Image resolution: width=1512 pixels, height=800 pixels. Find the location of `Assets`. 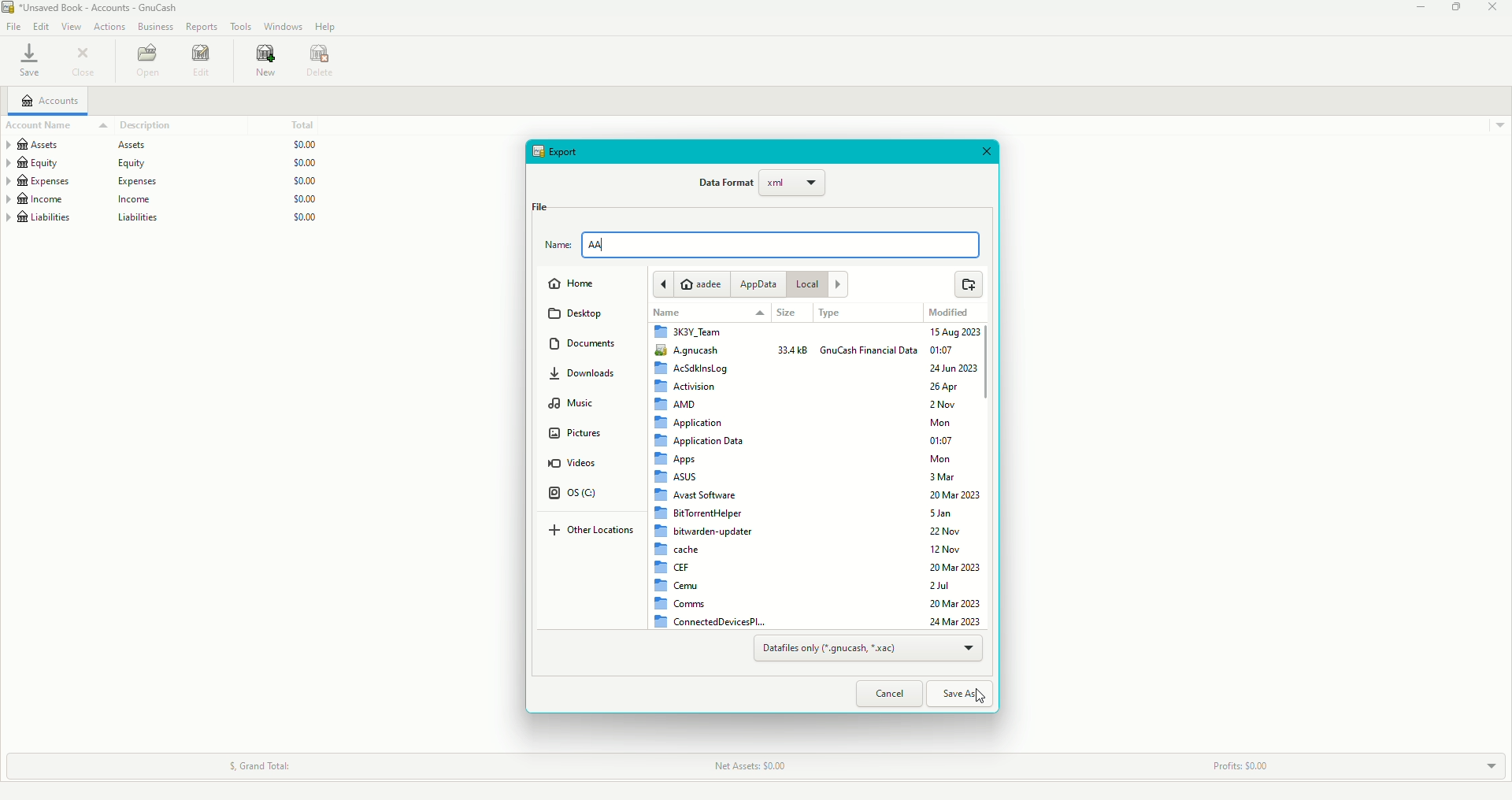

Assets is located at coordinates (163, 143).